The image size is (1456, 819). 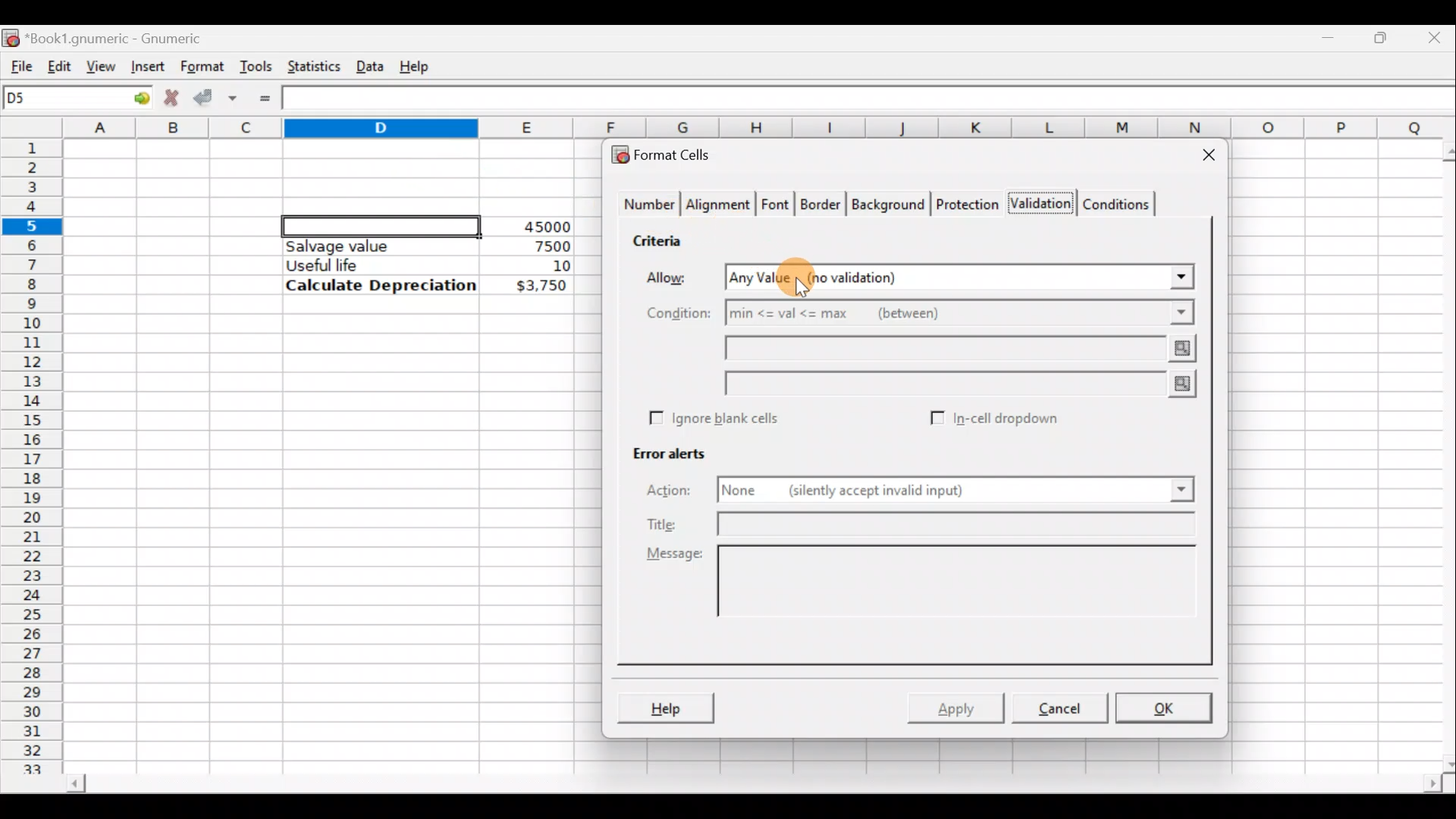 What do you see at coordinates (667, 712) in the screenshot?
I see `Help` at bounding box center [667, 712].